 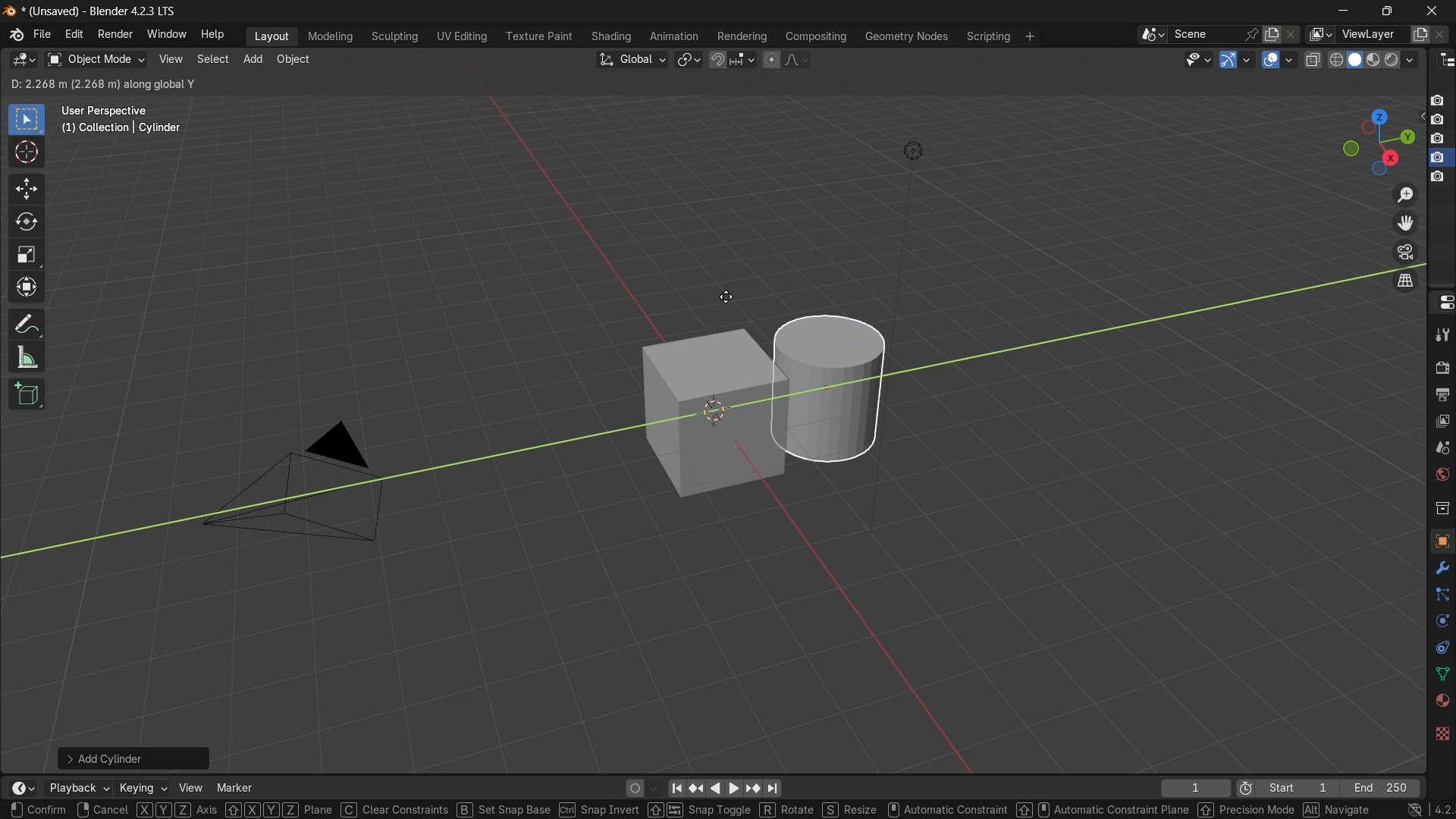 I want to click on camera, so click(x=292, y=480).